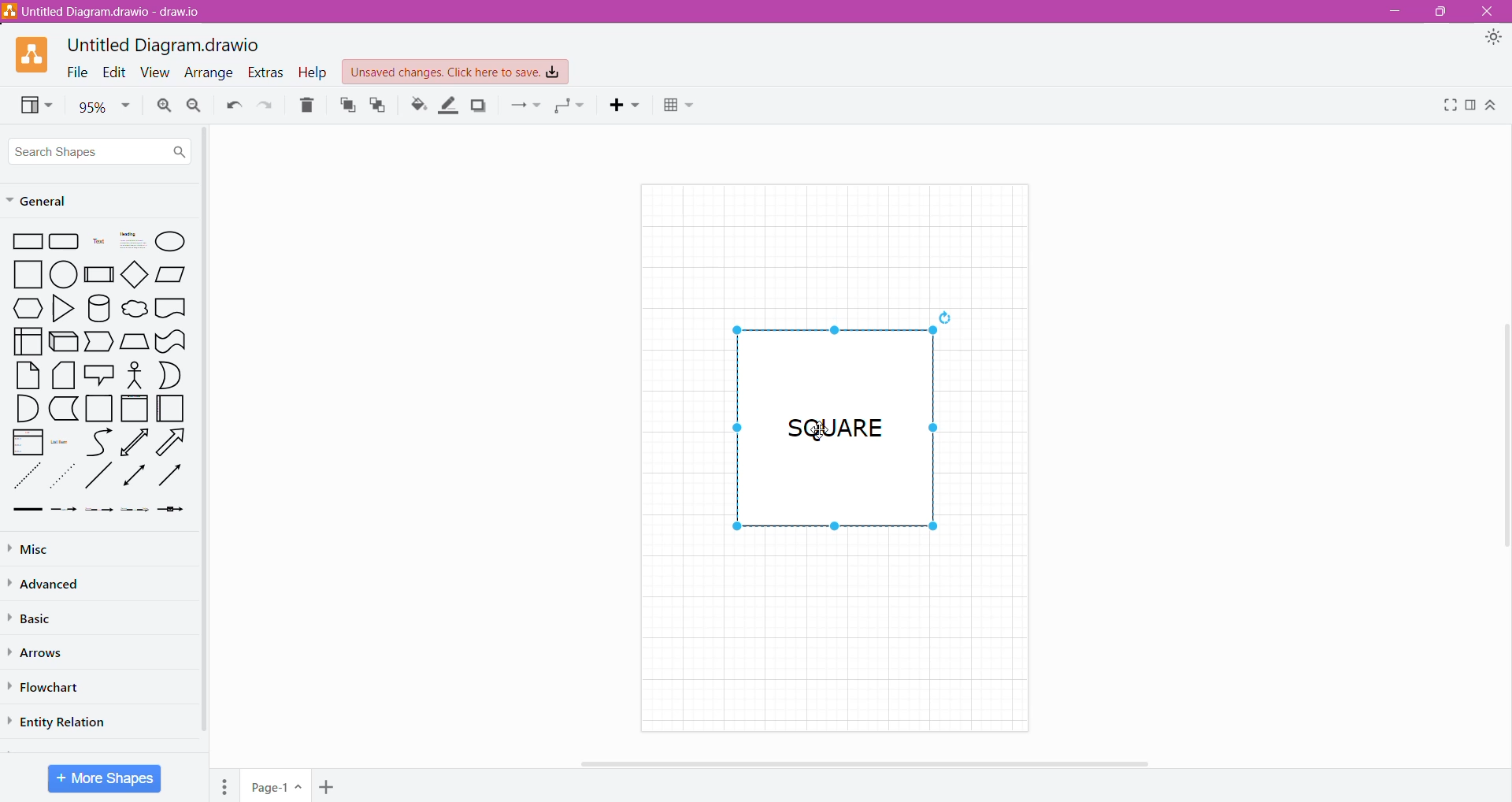  Describe the element at coordinates (1471, 109) in the screenshot. I see `Format` at that location.